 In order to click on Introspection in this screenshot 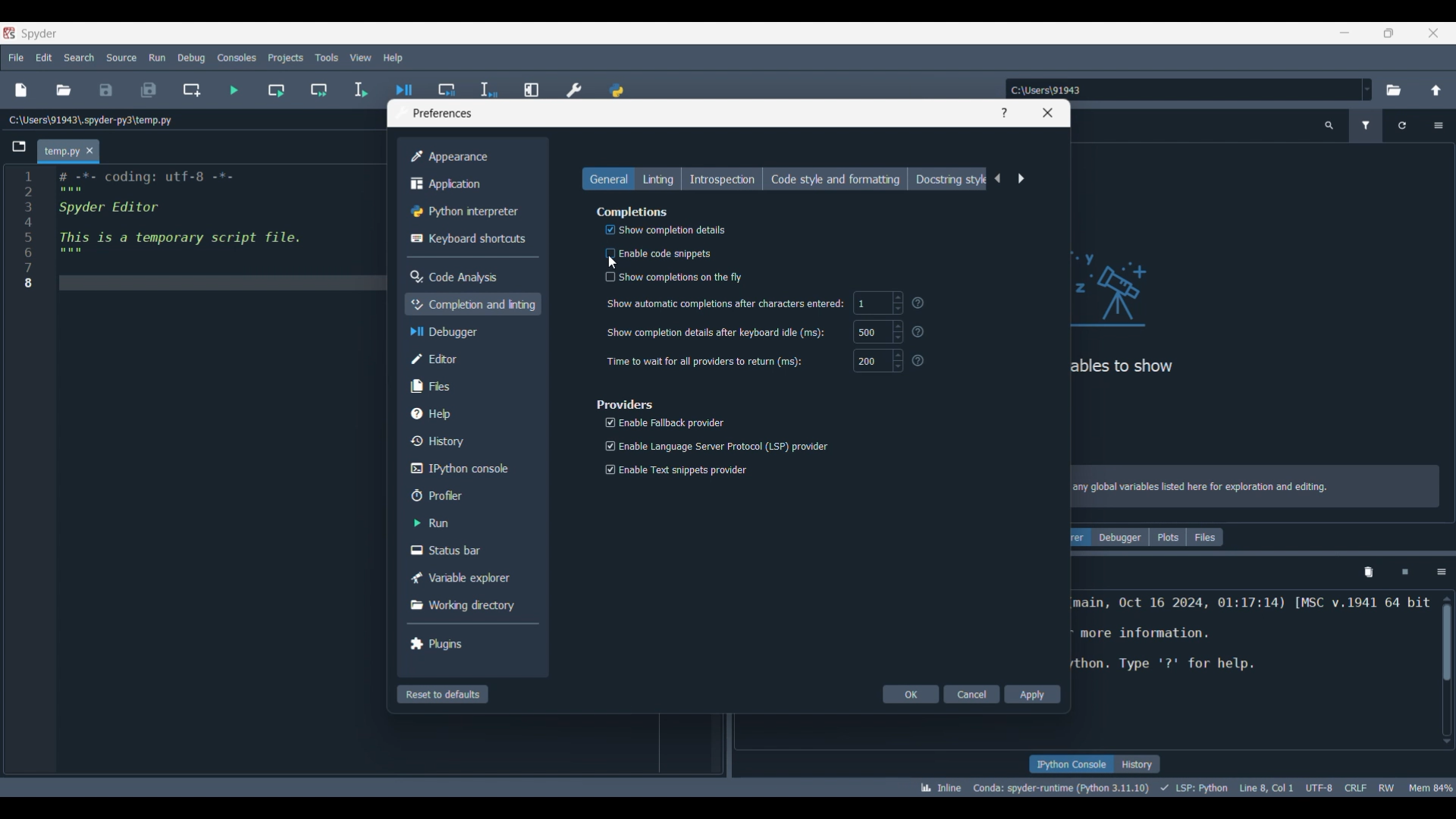, I will do `click(722, 178)`.